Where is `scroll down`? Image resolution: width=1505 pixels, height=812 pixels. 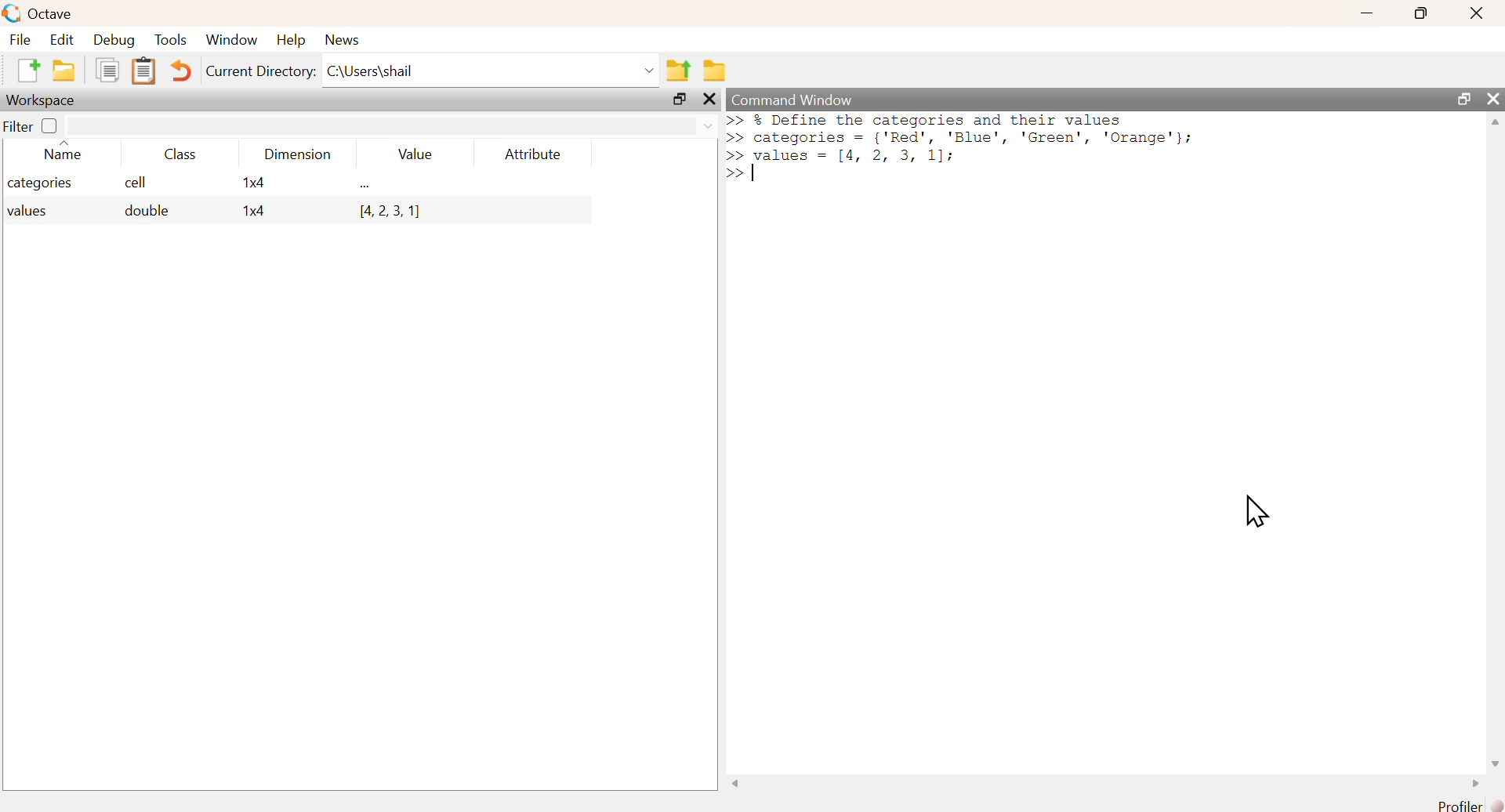
scroll down is located at coordinates (1495, 763).